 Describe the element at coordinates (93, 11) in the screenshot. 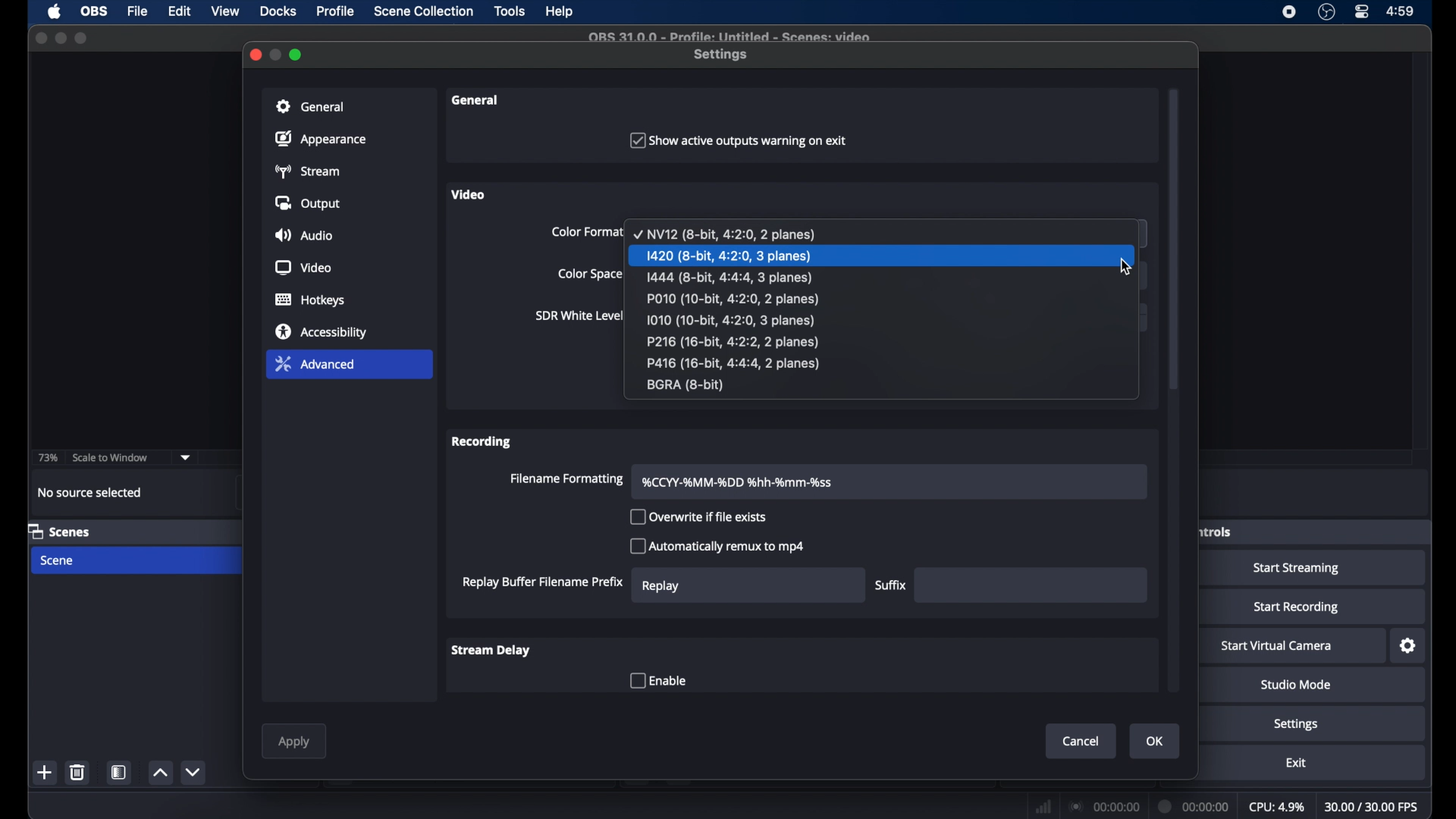

I see `obs` at that location.